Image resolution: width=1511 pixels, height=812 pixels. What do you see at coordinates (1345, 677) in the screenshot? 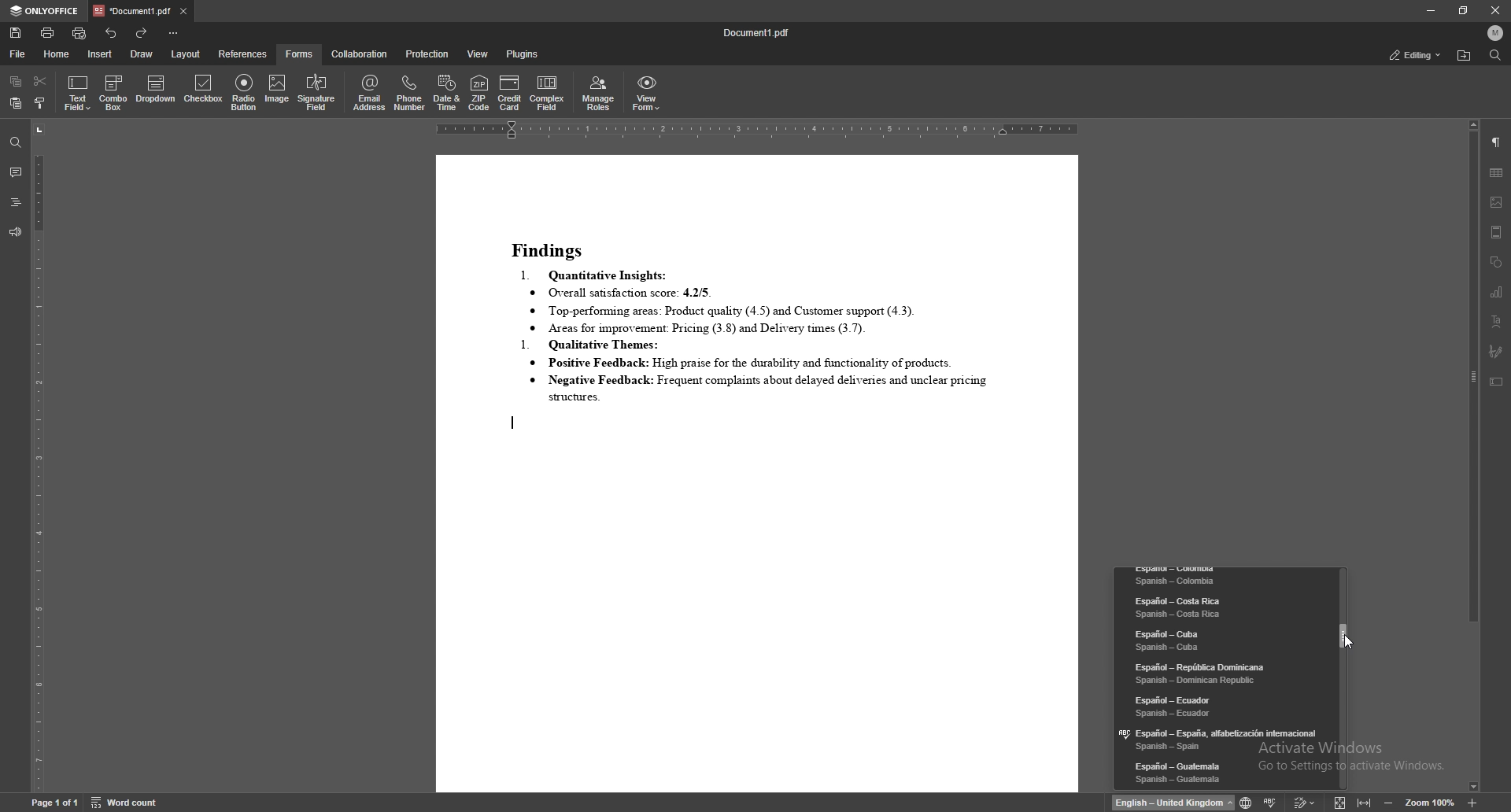
I see `scroll bar` at bounding box center [1345, 677].